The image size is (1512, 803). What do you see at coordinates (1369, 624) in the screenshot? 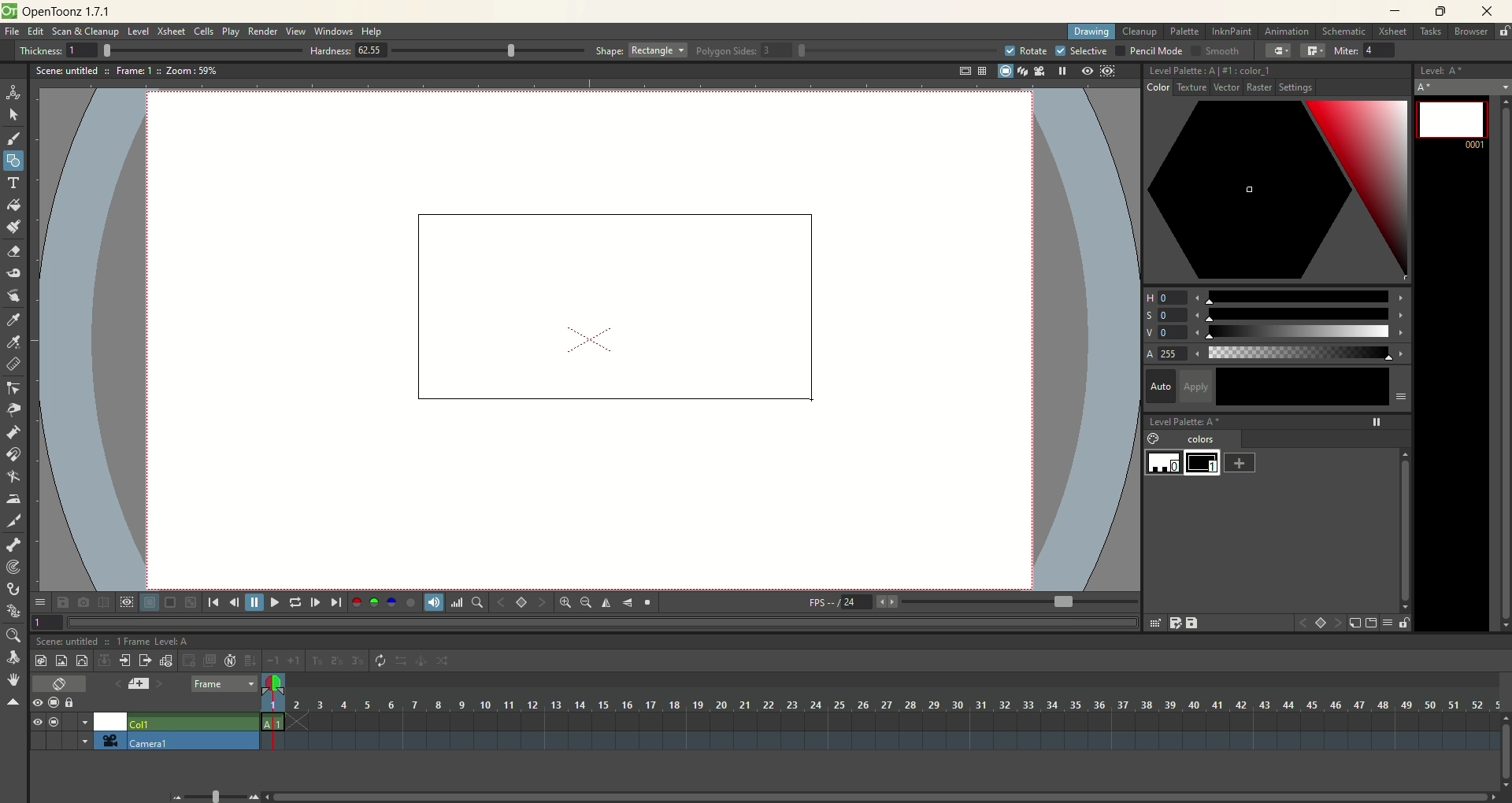
I see `new page` at bounding box center [1369, 624].